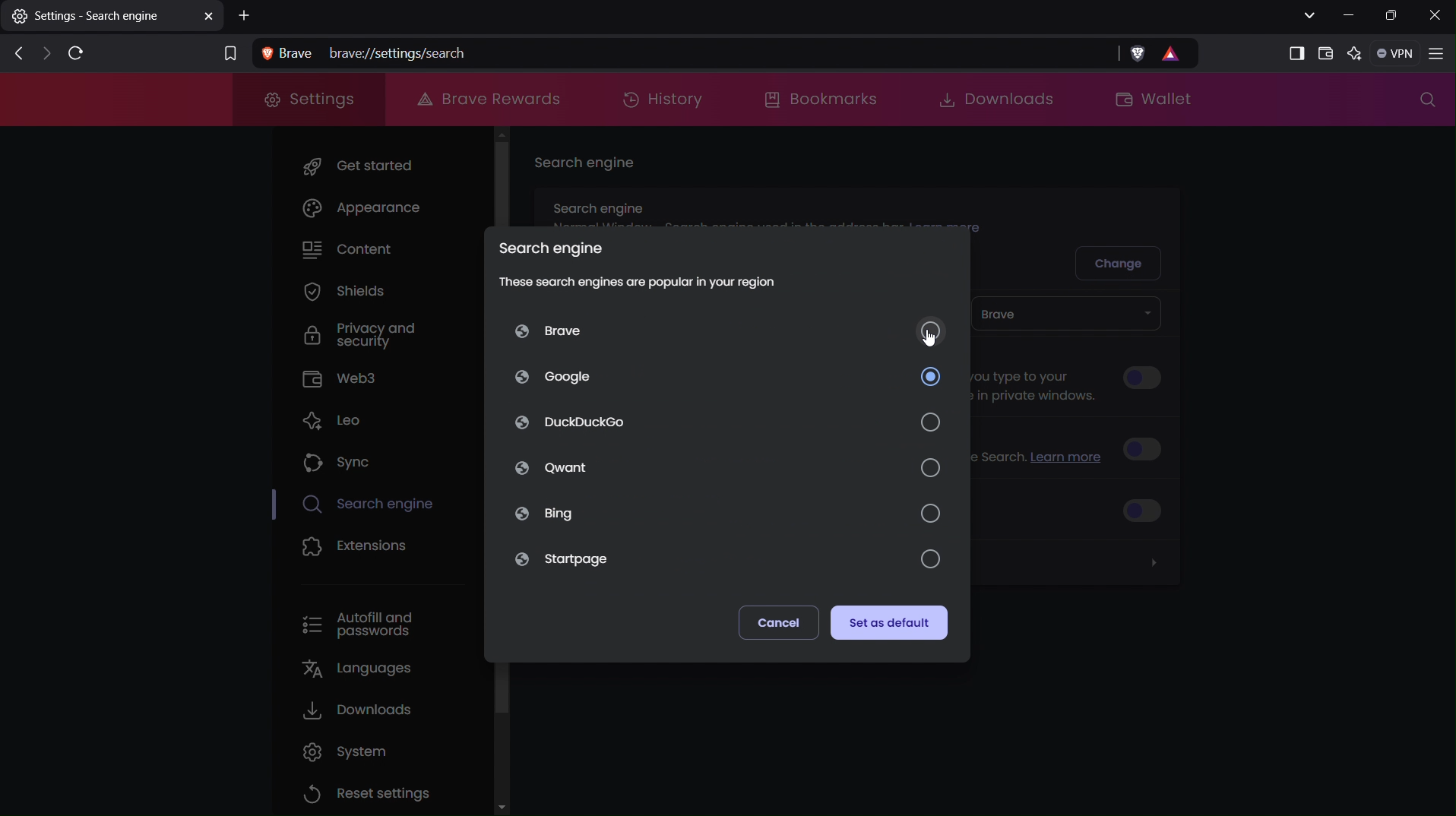 This screenshot has width=1456, height=816. I want to click on Web Discovery Project, so click(1045, 451).